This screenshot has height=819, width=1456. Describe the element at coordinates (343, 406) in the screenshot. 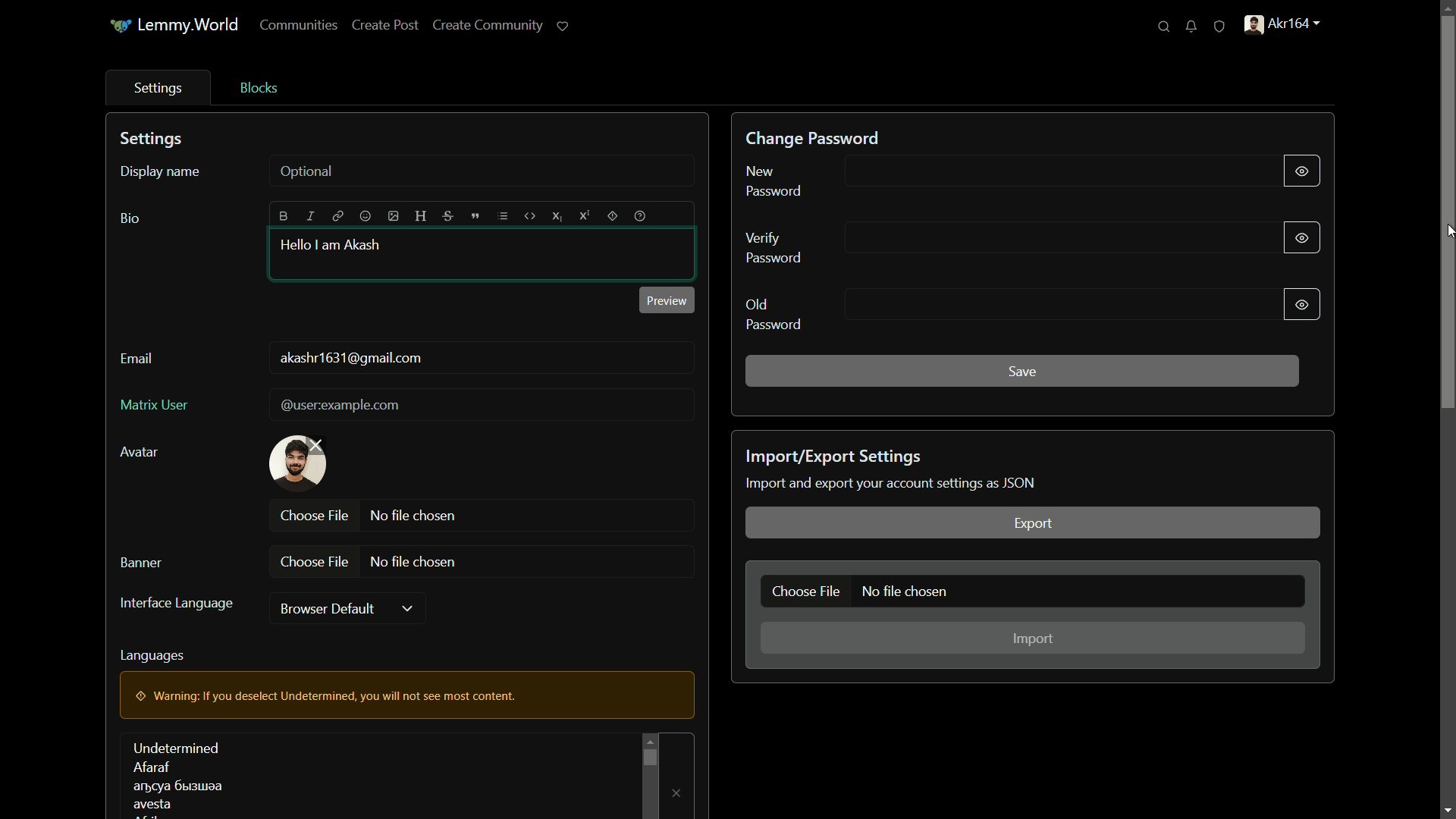

I see `@userexample.com` at that location.